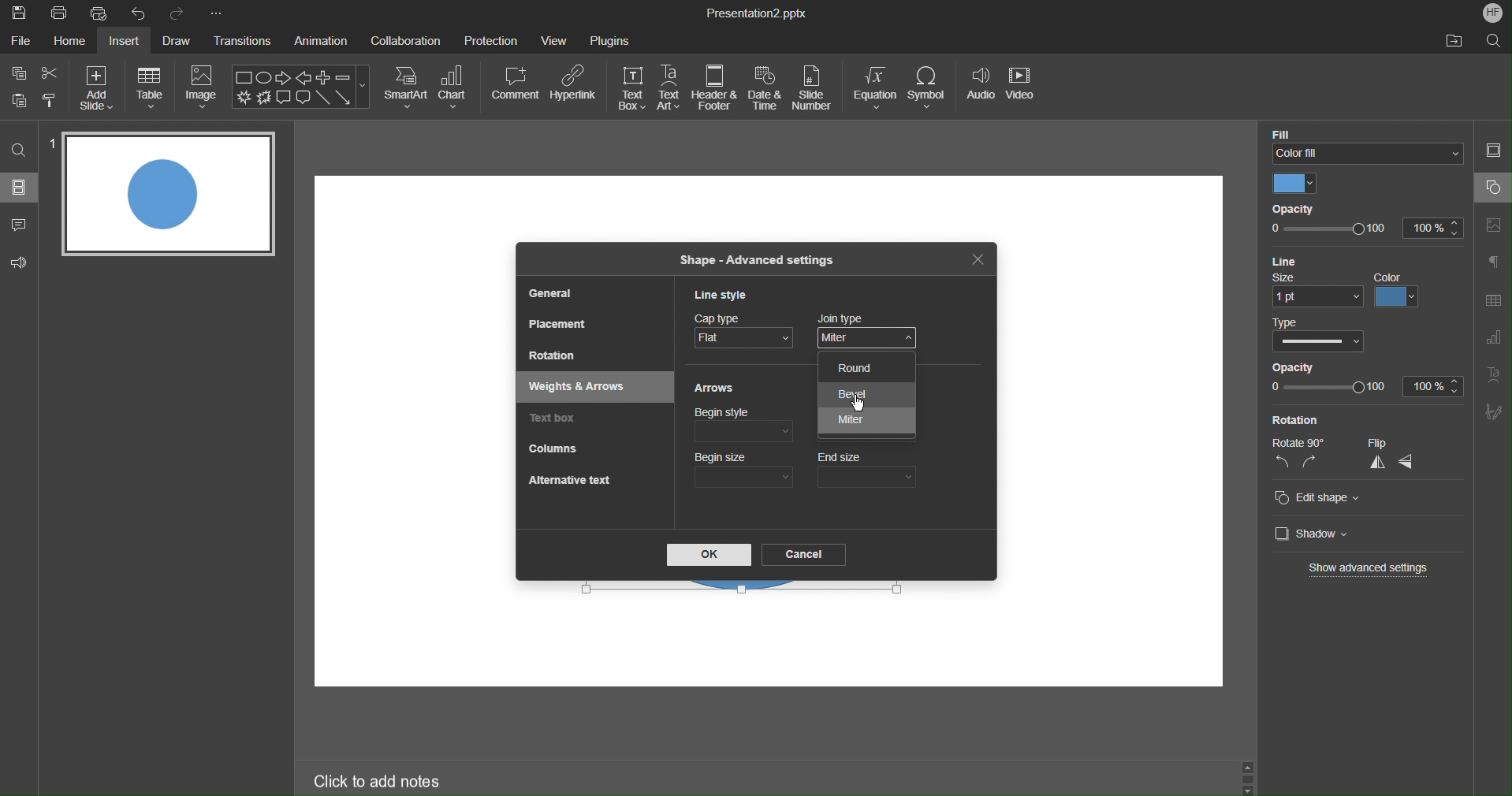  I want to click on Line, so click(1290, 260).